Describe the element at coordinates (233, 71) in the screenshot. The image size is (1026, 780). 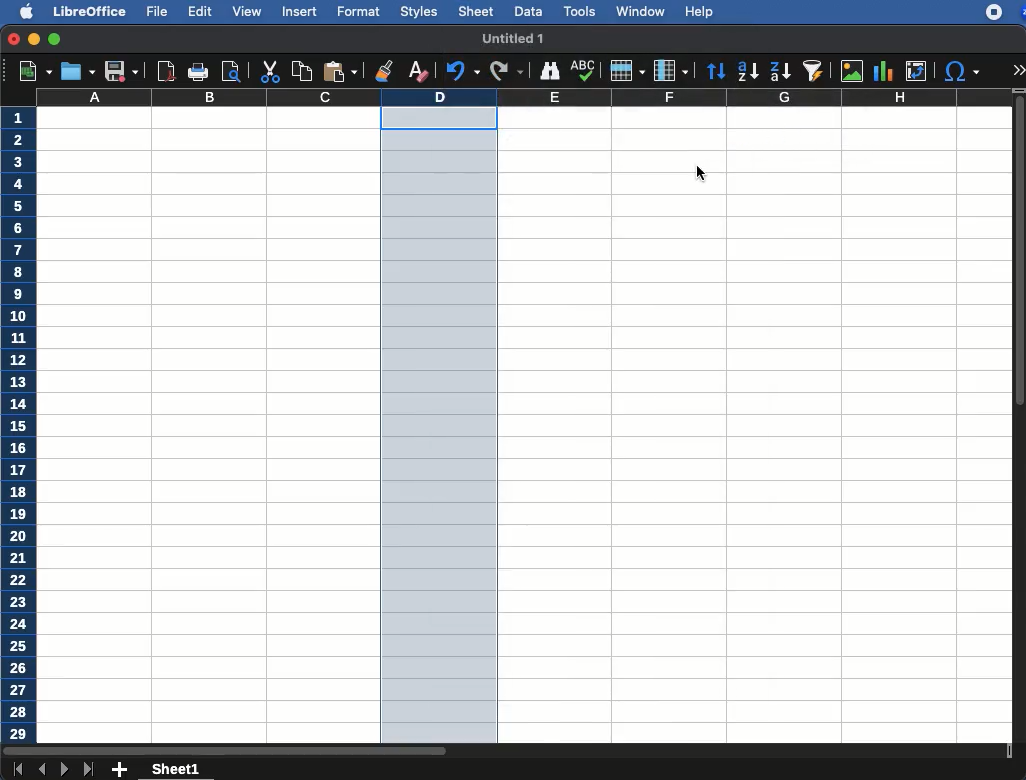
I see `print preview` at that location.